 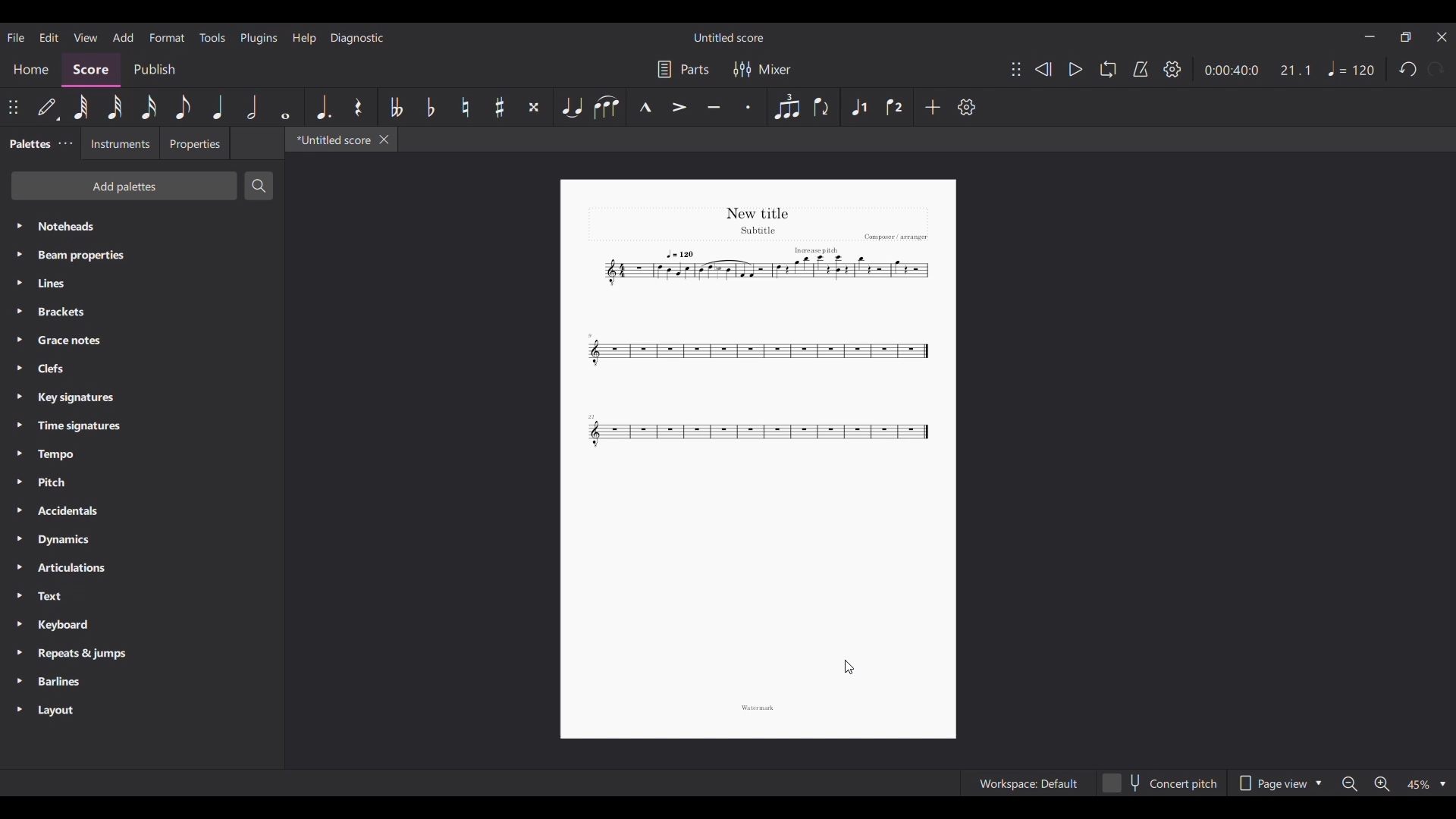 I want to click on Tenuto, so click(x=714, y=107).